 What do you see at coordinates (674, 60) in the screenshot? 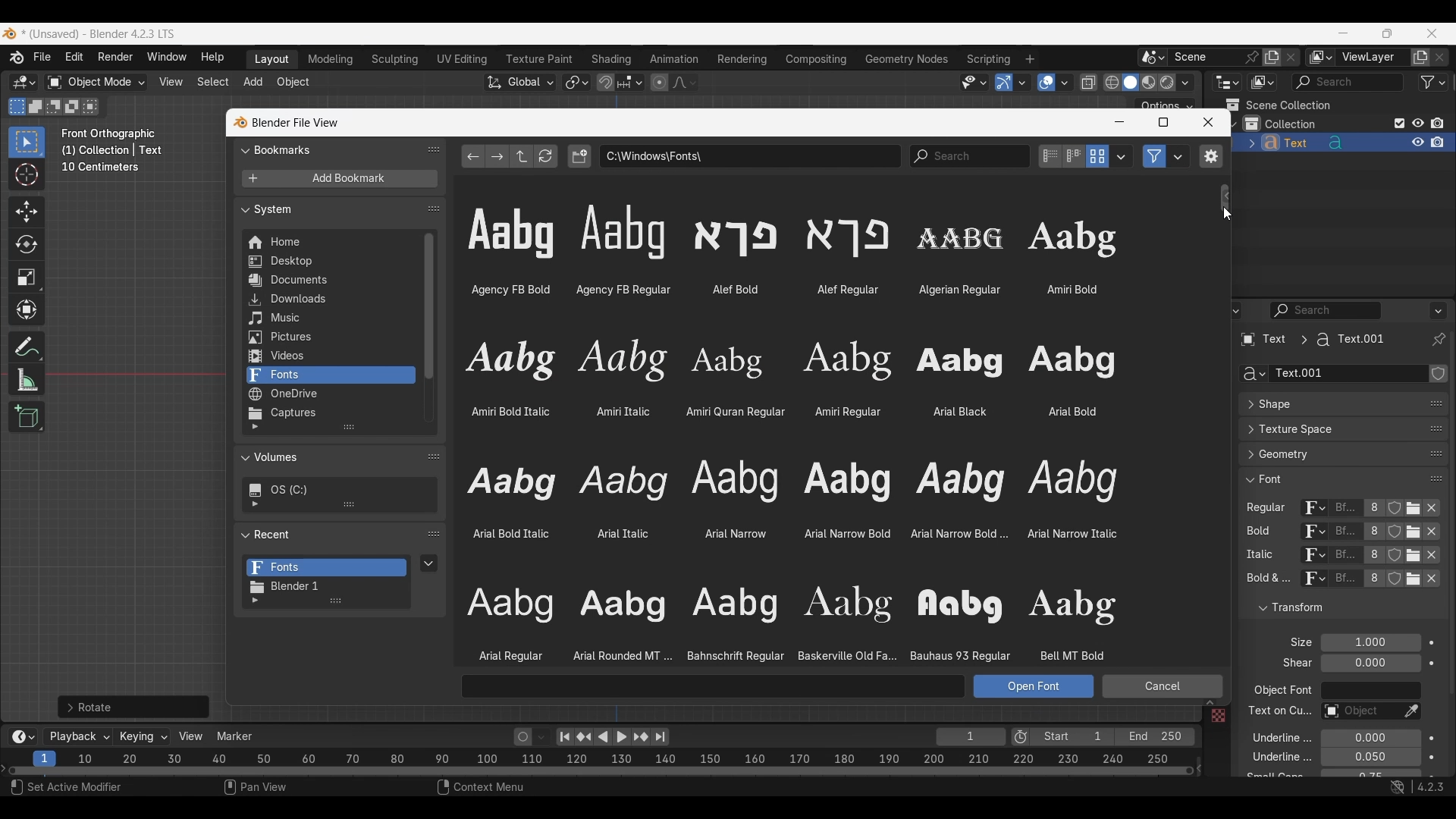
I see `Animation workspace` at bounding box center [674, 60].